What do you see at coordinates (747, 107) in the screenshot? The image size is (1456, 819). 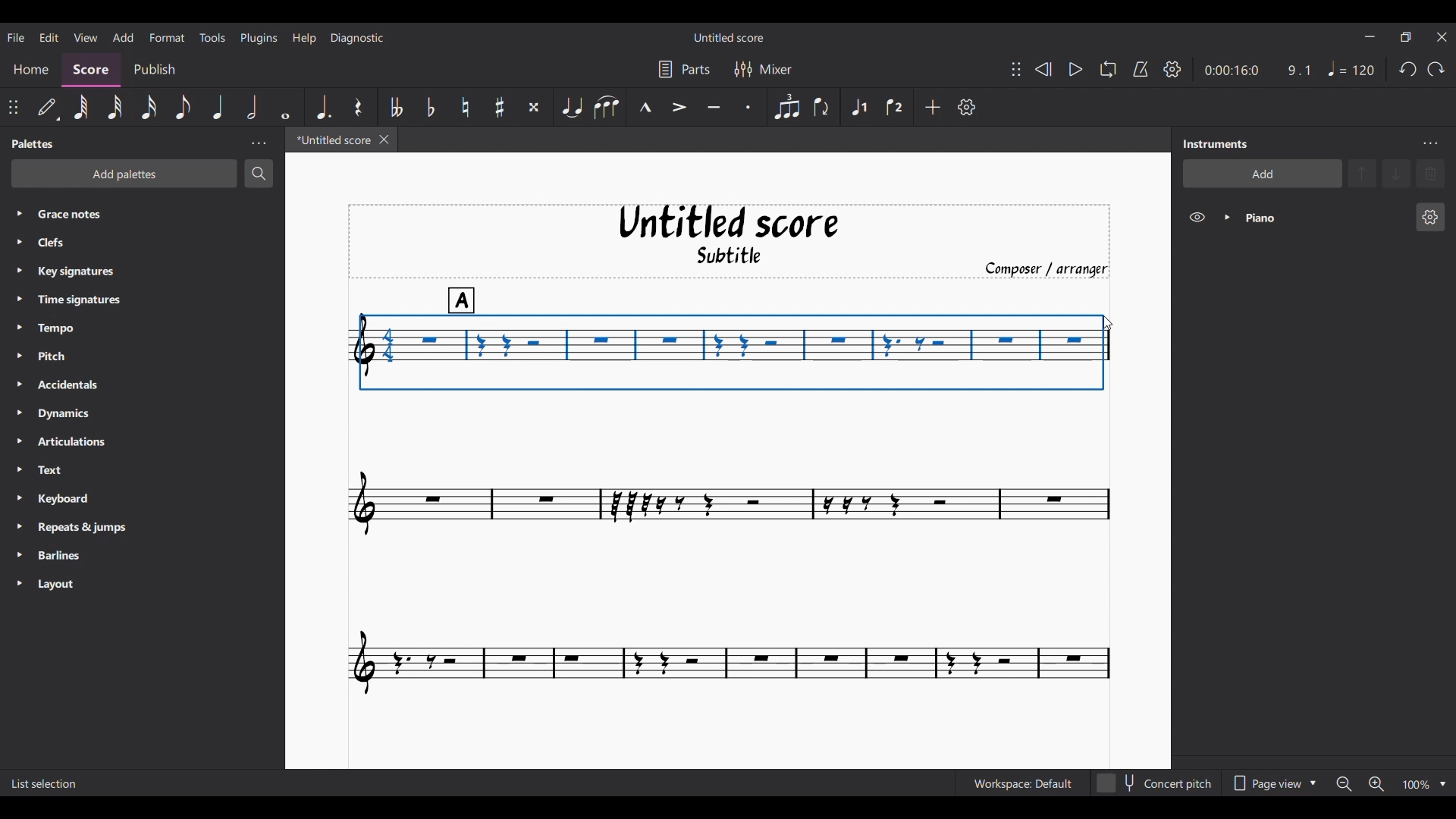 I see `Staccato` at bounding box center [747, 107].